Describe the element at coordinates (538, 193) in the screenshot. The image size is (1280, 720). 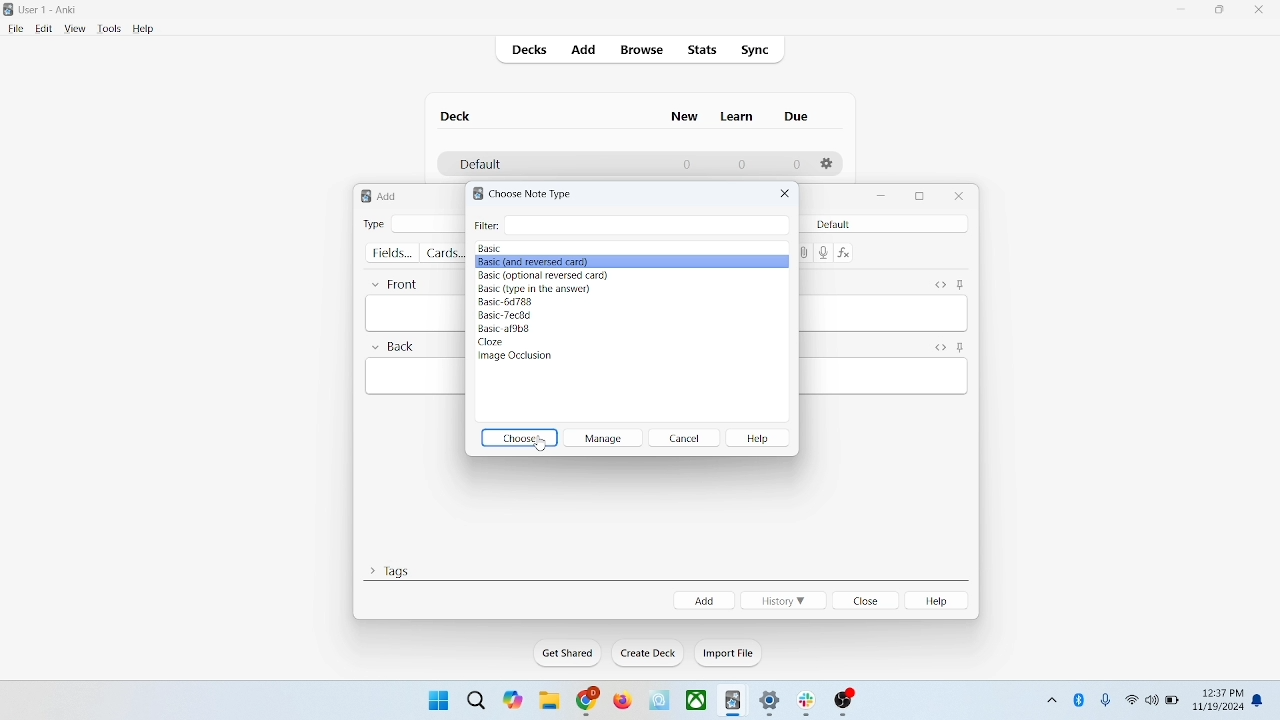
I see `Choose Note-Type` at that location.